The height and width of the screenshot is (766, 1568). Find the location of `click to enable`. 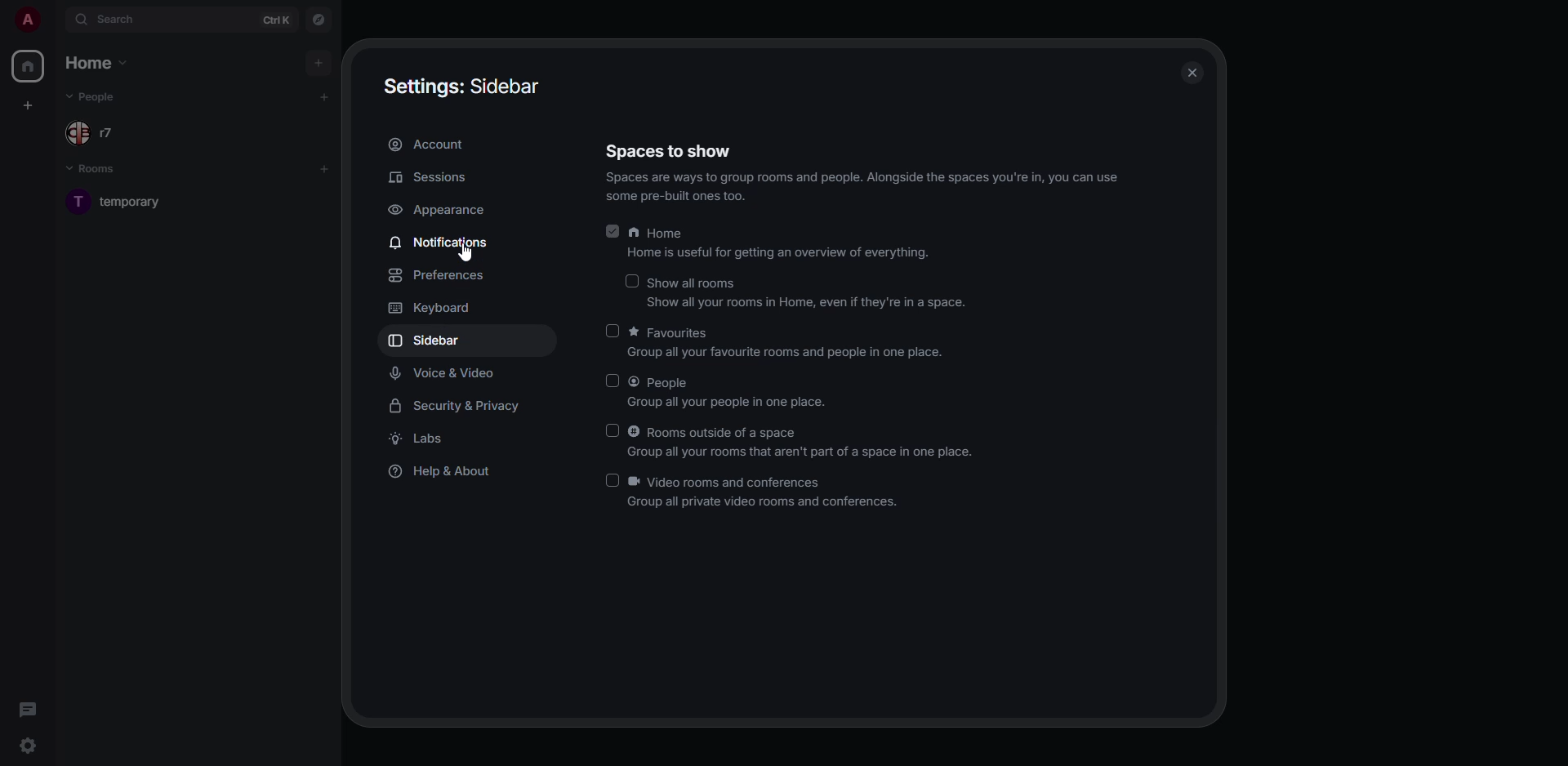

click to enable is located at coordinates (613, 381).